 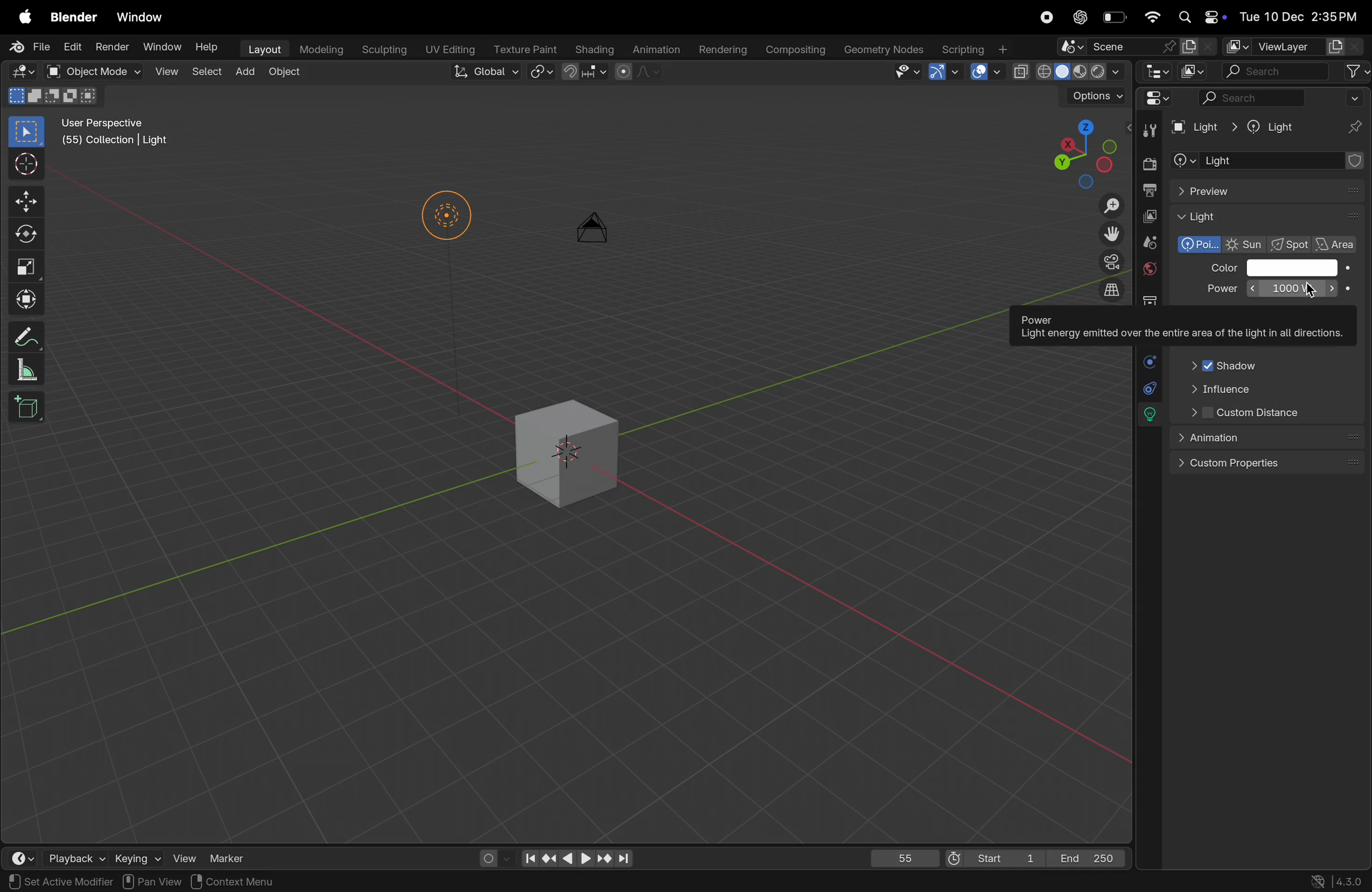 What do you see at coordinates (1149, 189) in the screenshot?
I see `out put` at bounding box center [1149, 189].